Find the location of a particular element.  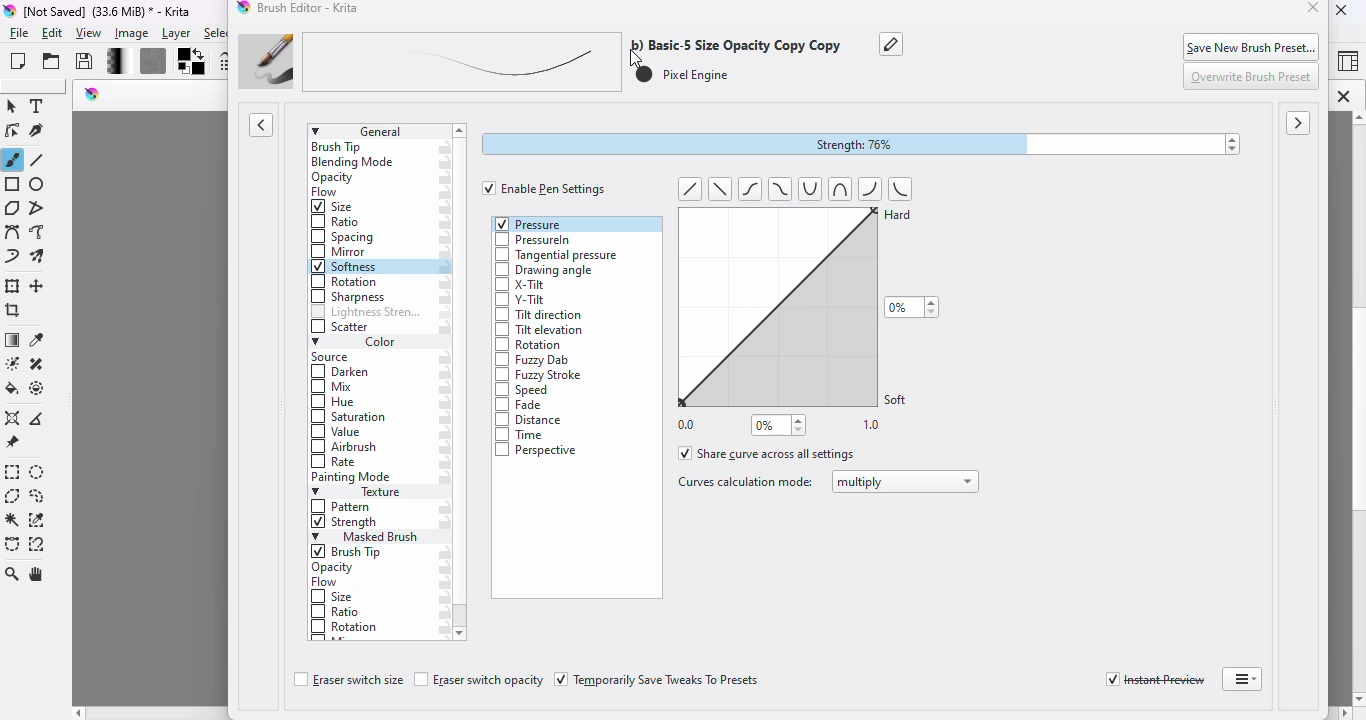

tilt elevation is located at coordinates (539, 331).